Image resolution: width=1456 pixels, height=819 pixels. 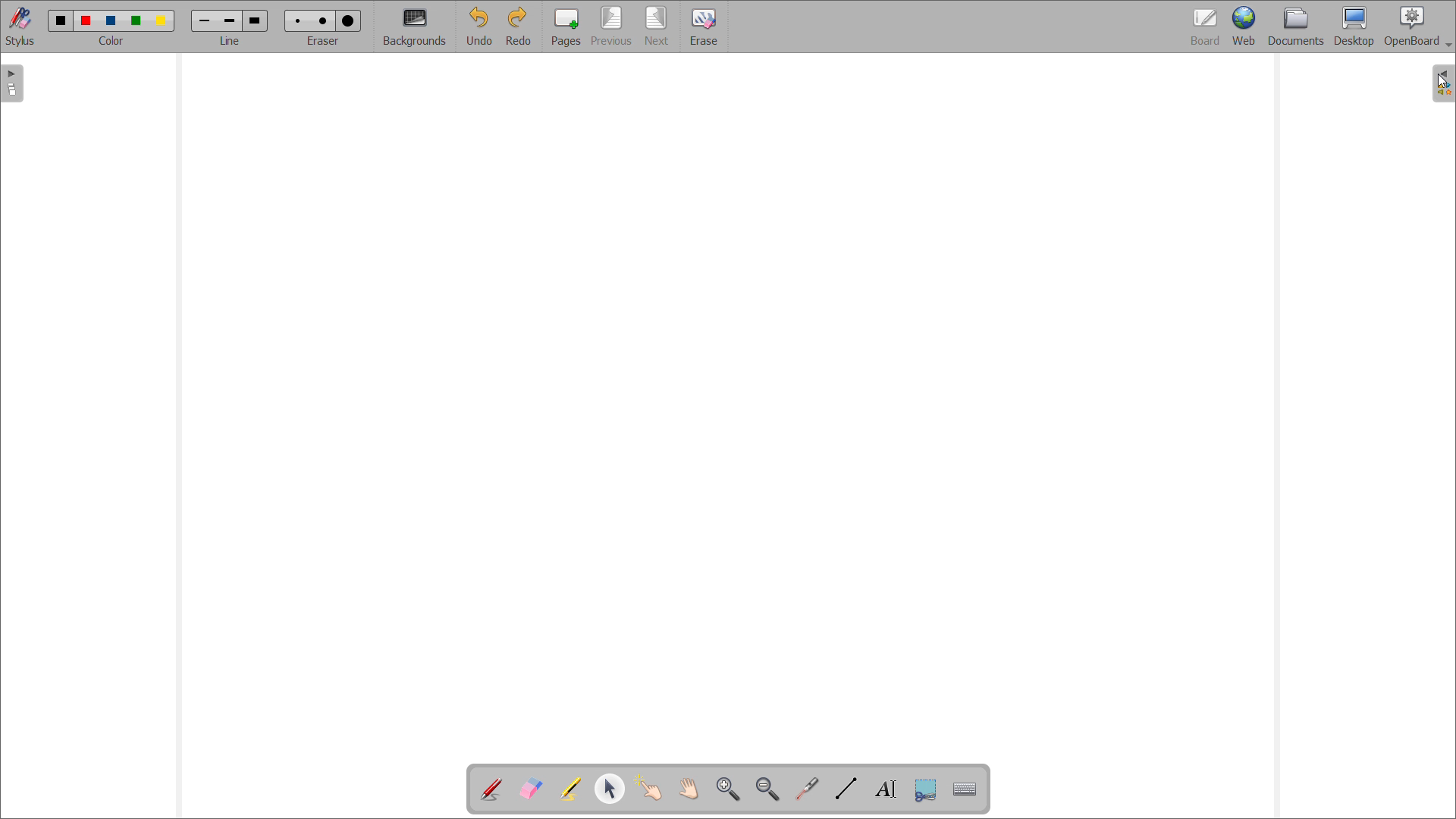 What do you see at coordinates (650, 787) in the screenshot?
I see `interact with items` at bounding box center [650, 787].